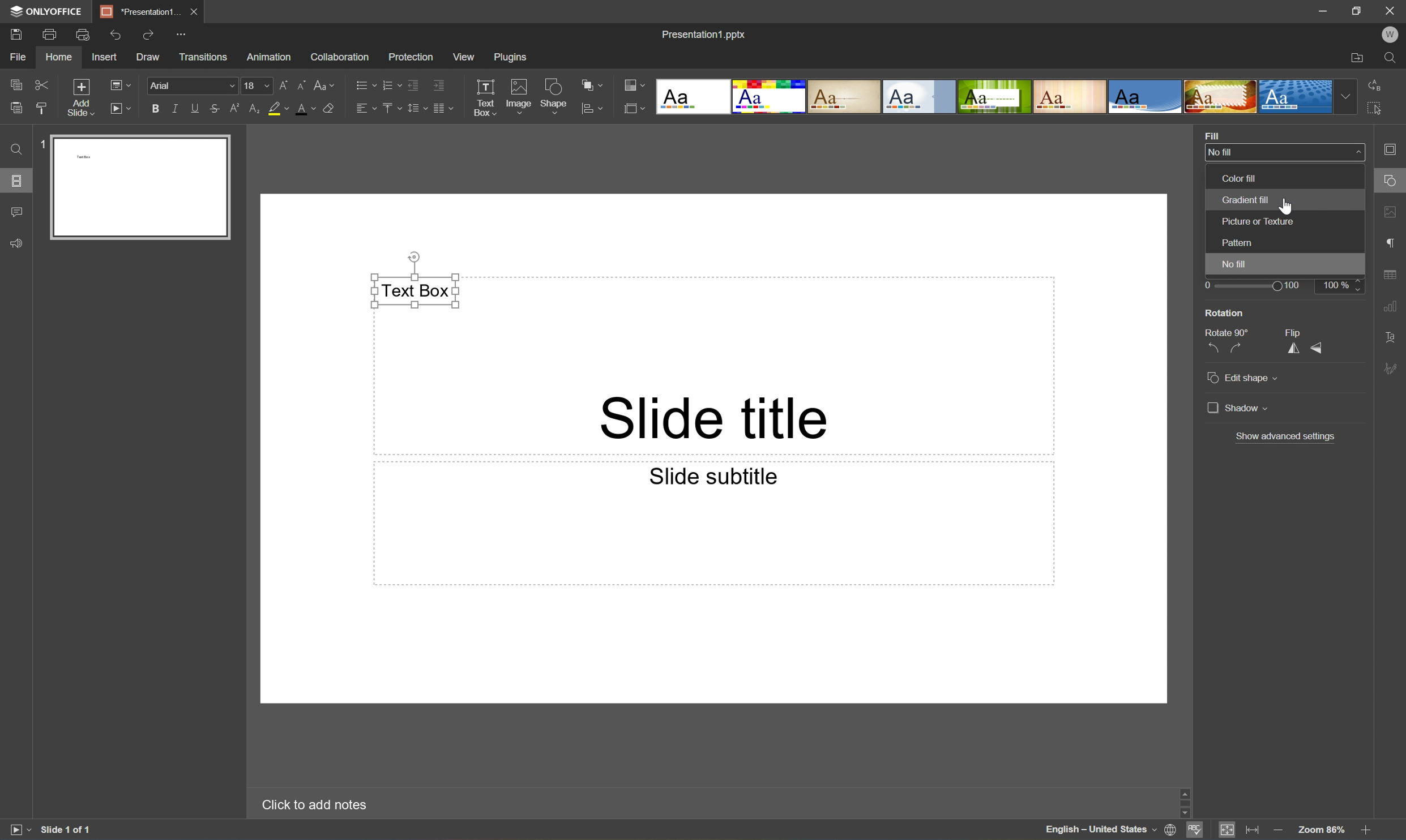  What do you see at coordinates (633, 108) in the screenshot?
I see `Select Slide size` at bounding box center [633, 108].